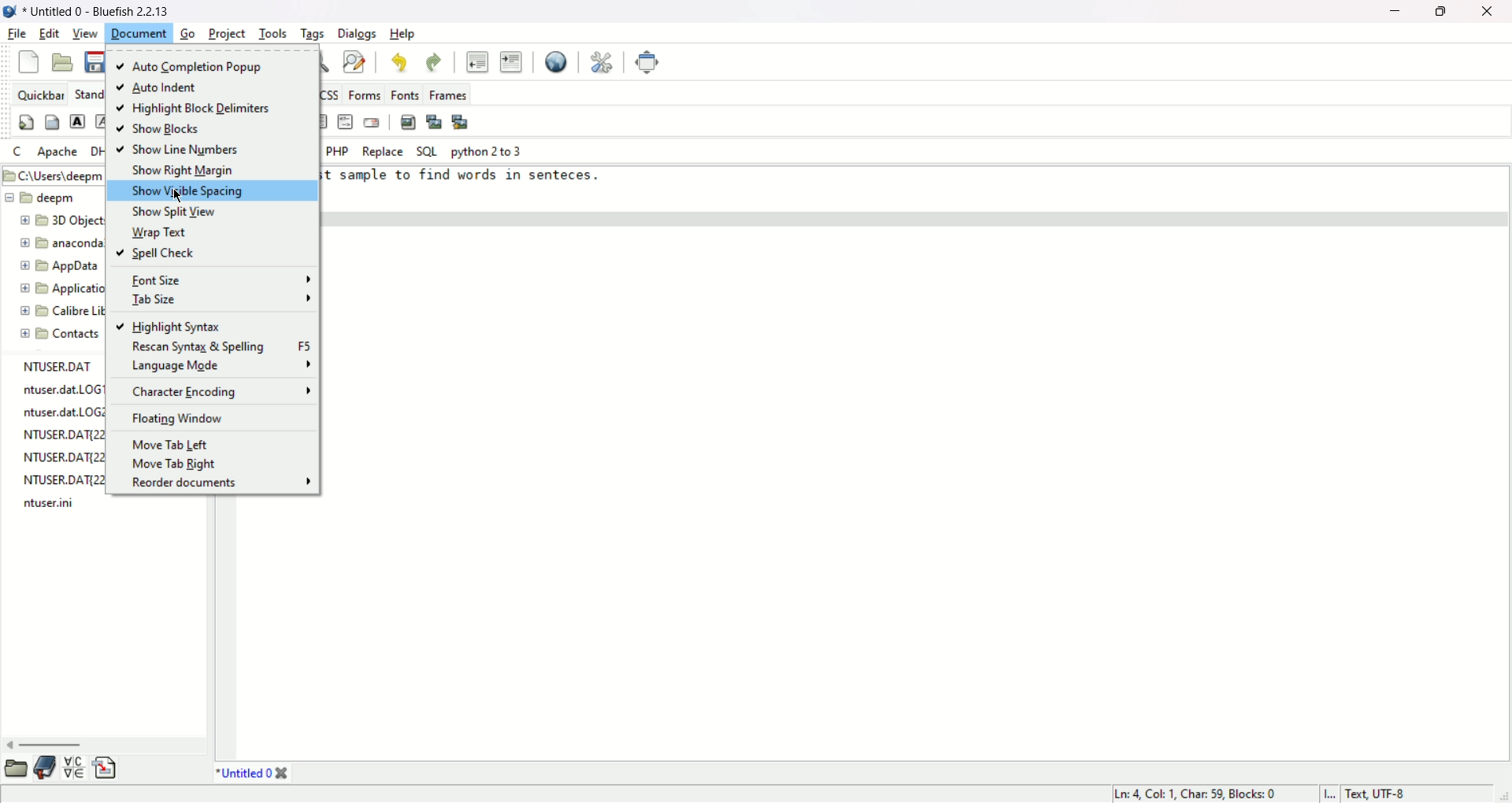 The width and height of the screenshot is (1512, 803). Describe the element at coordinates (196, 170) in the screenshot. I see `show right margin` at that location.